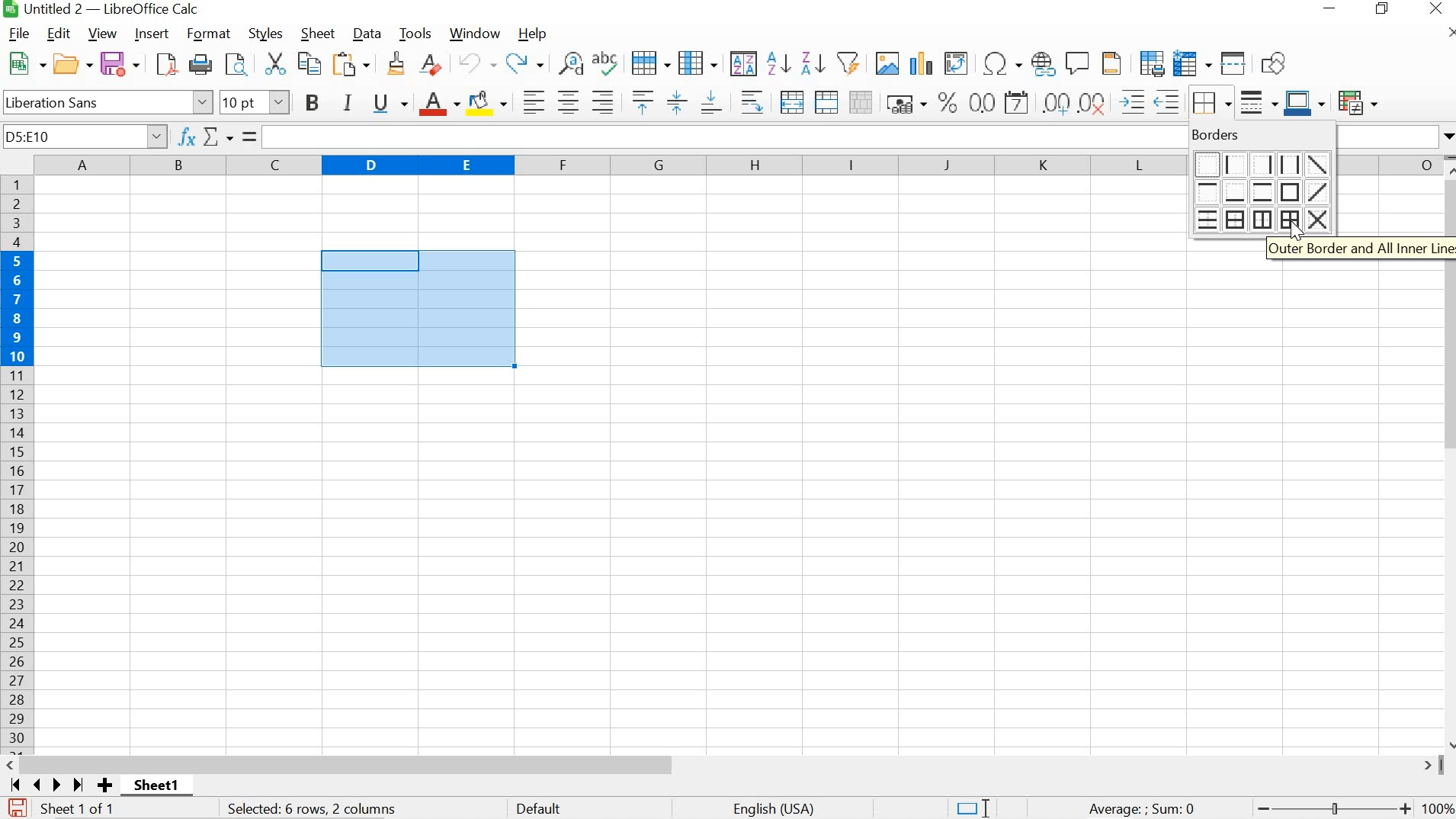 The height and width of the screenshot is (819, 1456). I want to click on OPEN, so click(72, 64).